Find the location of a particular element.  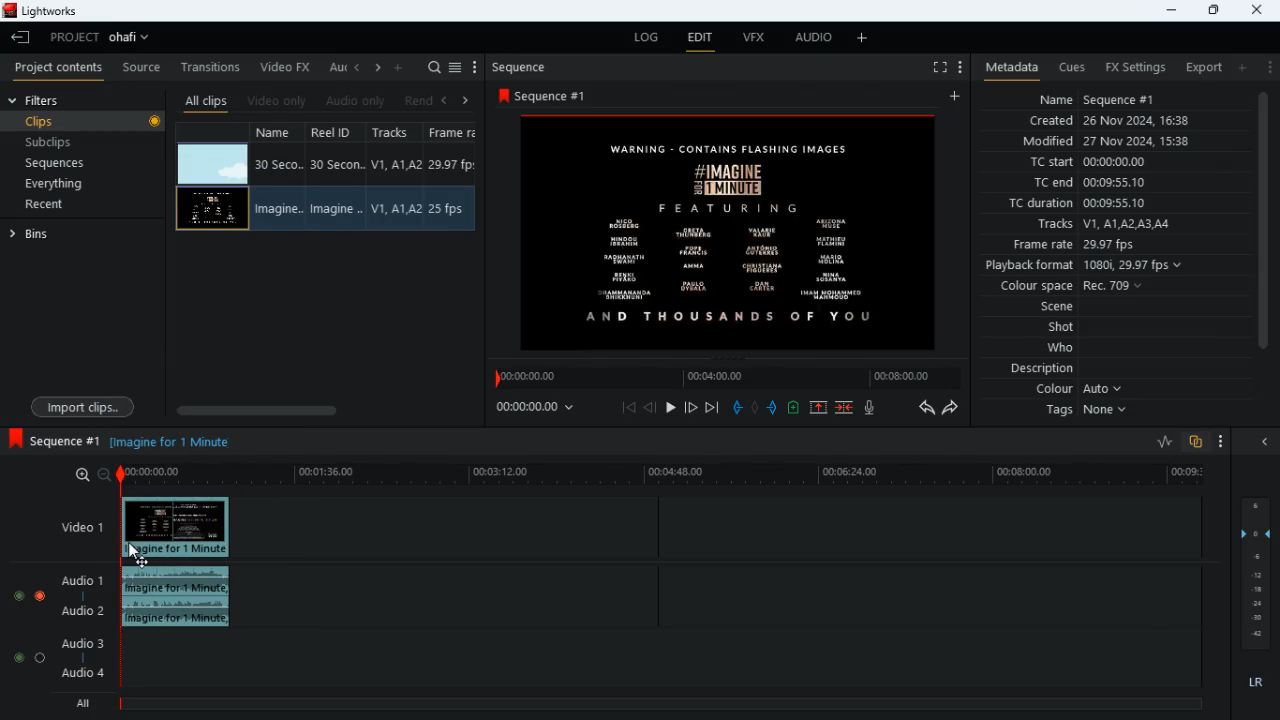

frame is located at coordinates (454, 179).